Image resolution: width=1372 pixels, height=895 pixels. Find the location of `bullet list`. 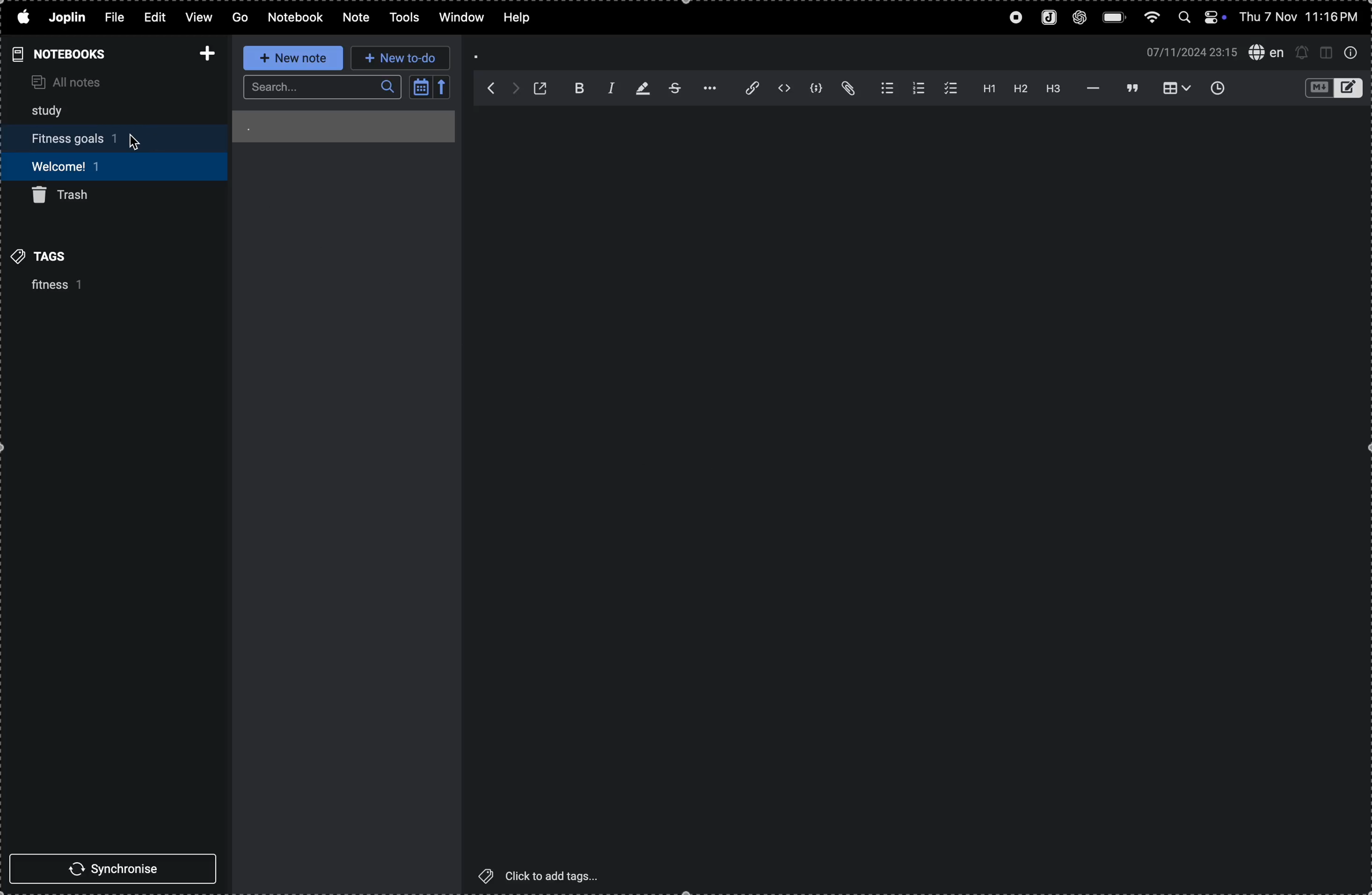

bullet list is located at coordinates (882, 88).